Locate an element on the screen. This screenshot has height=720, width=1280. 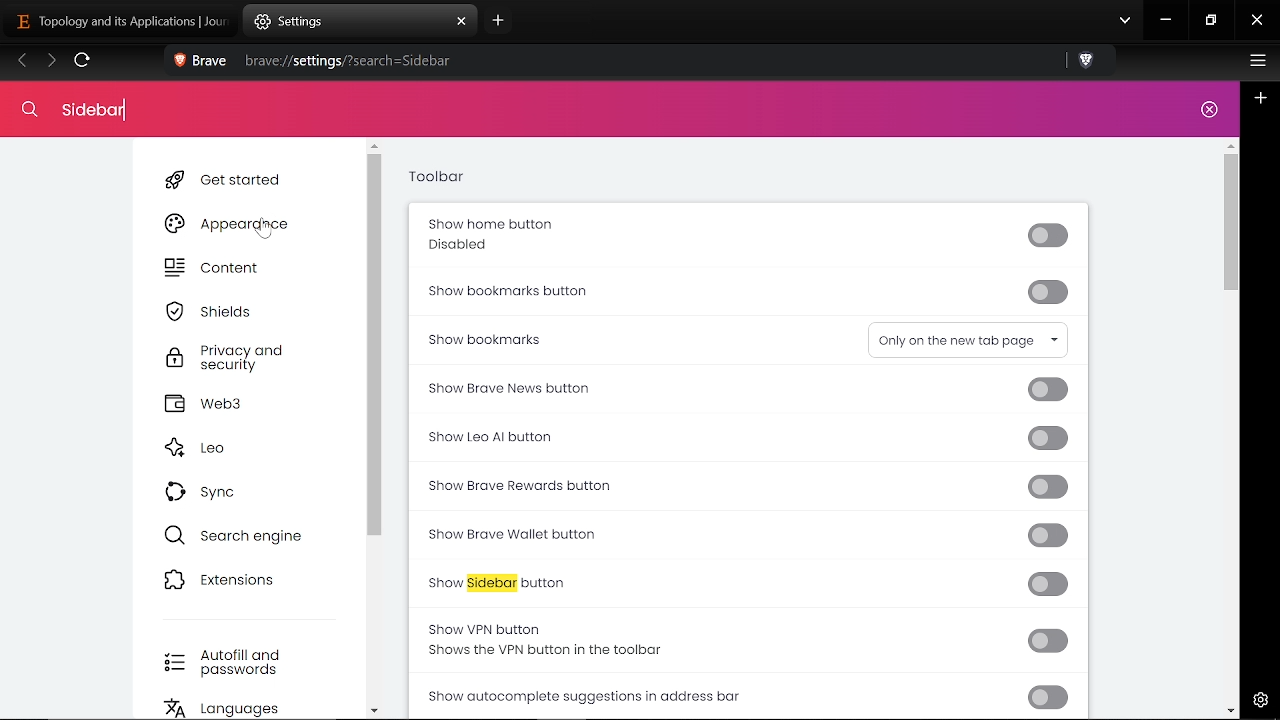
Sync is located at coordinates (211, 490).